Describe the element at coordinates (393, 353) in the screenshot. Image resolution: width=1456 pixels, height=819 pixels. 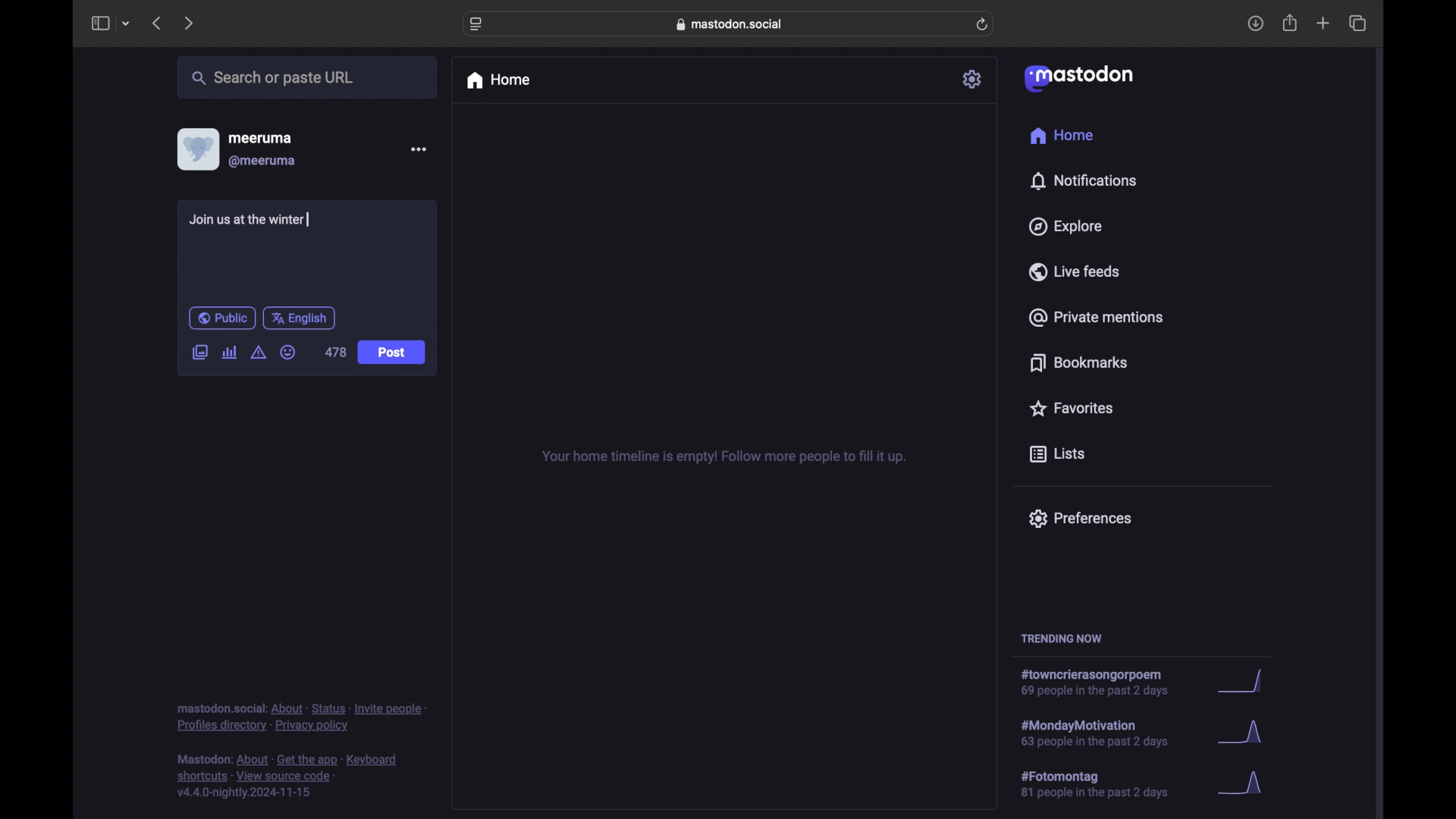
I see `Post` at that location.